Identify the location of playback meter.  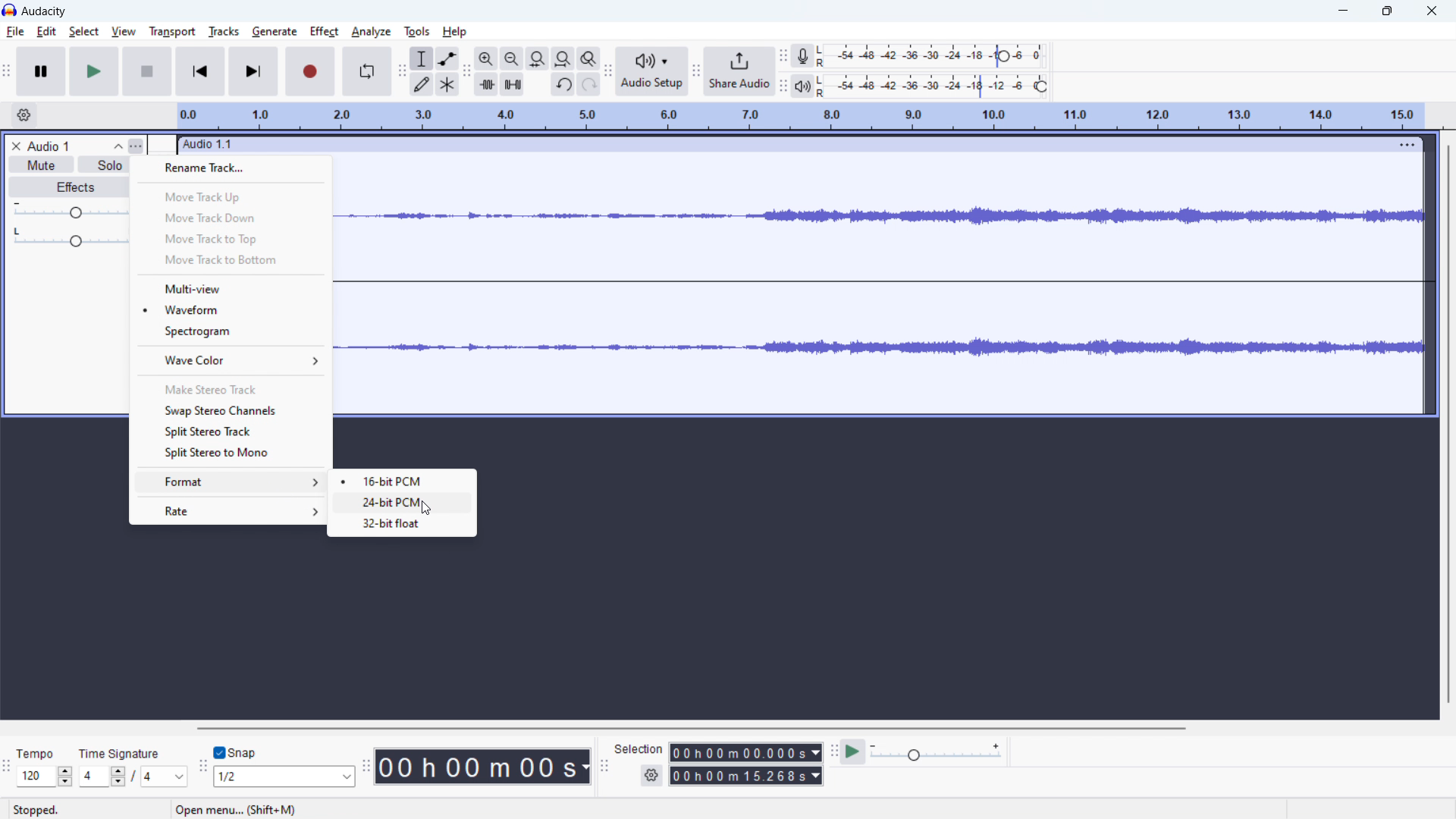
(804, 86).